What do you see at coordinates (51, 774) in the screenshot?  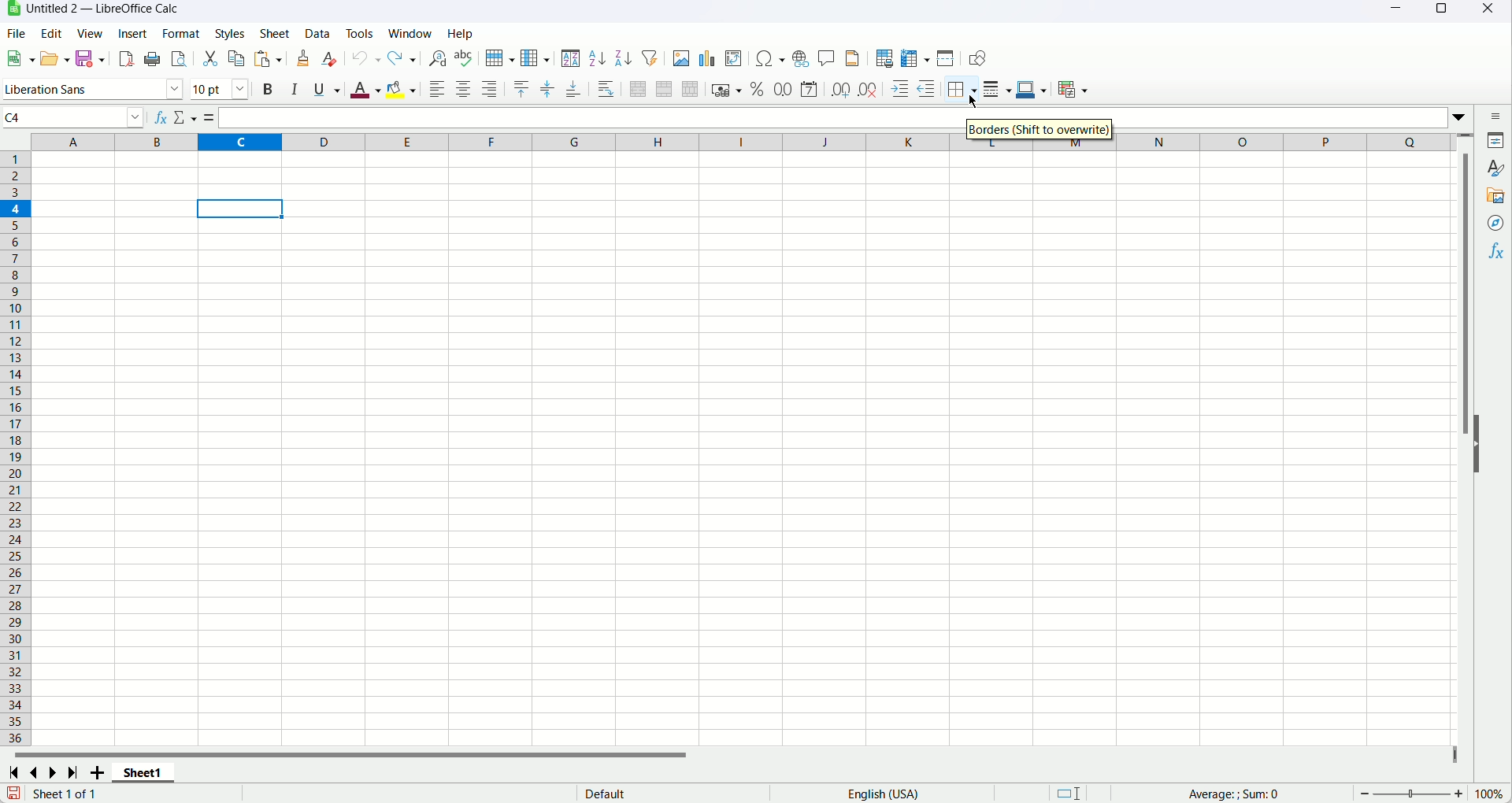 I see `Next sheet` at bounding box center [51, 774].